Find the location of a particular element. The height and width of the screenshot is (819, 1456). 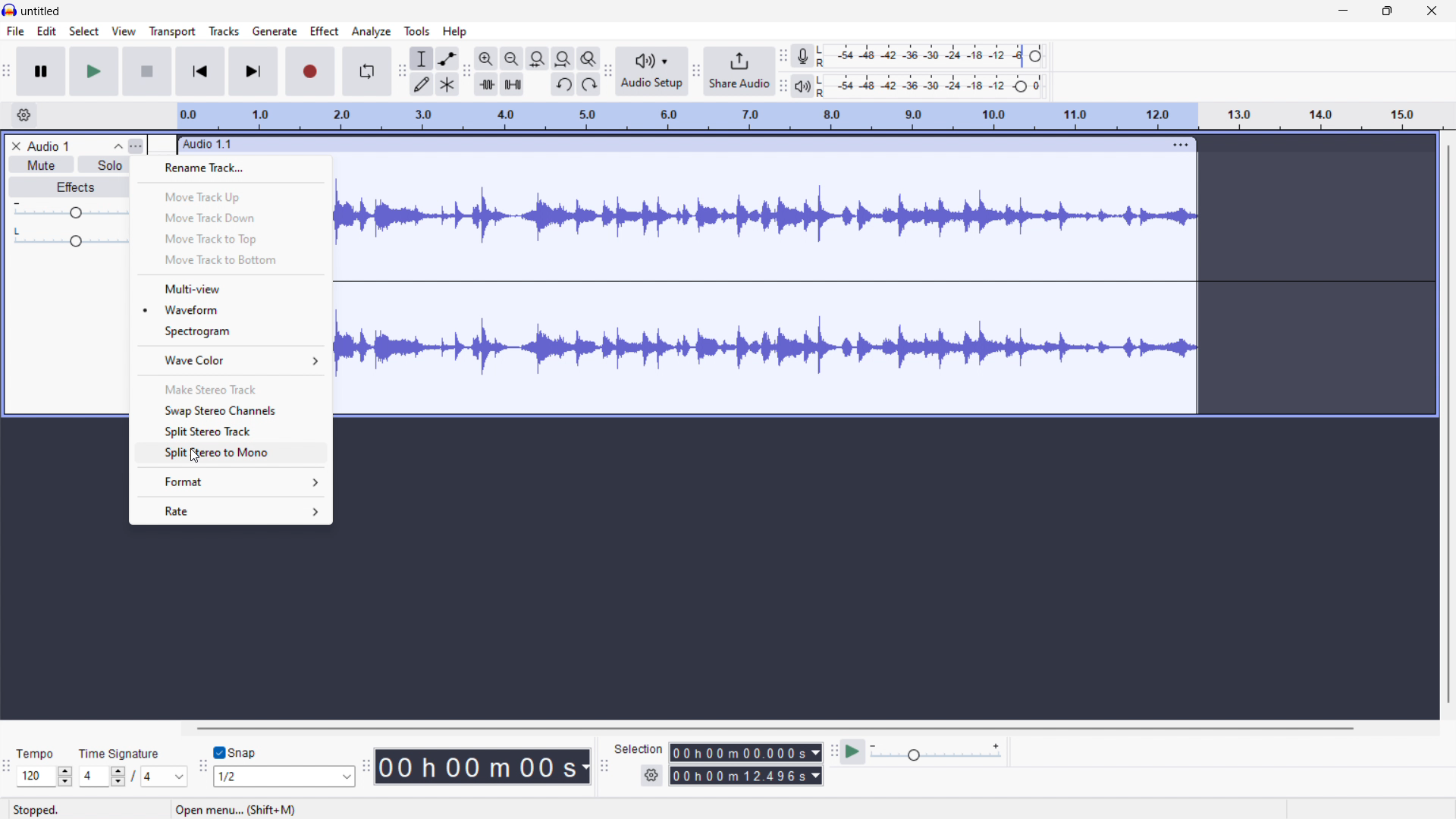

gain is located at coordinates (70, 211).